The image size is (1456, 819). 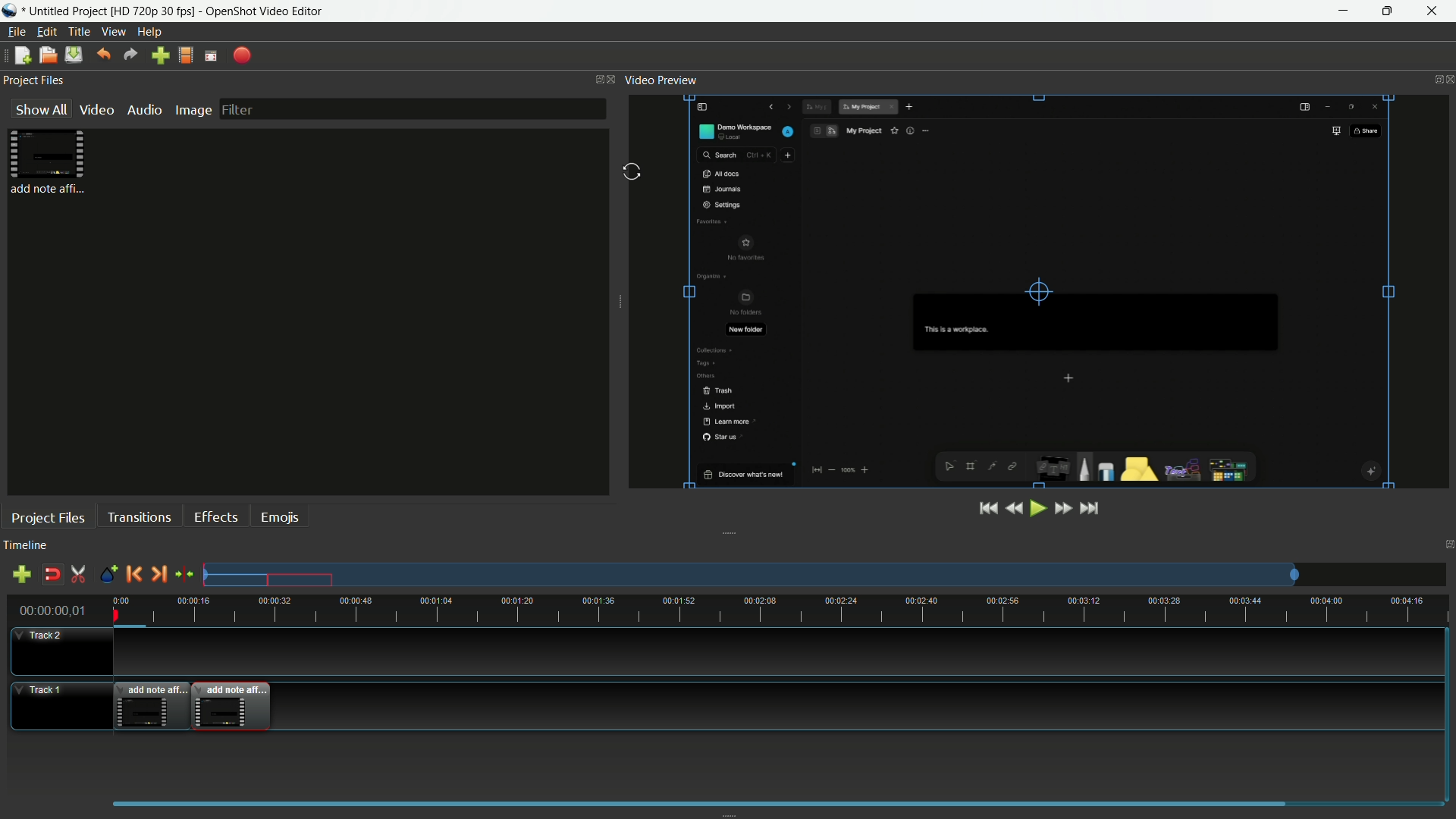 What do you see at coordinates (95, 110) in the screenshot?
I see `video` at bounding box center [95, 110].